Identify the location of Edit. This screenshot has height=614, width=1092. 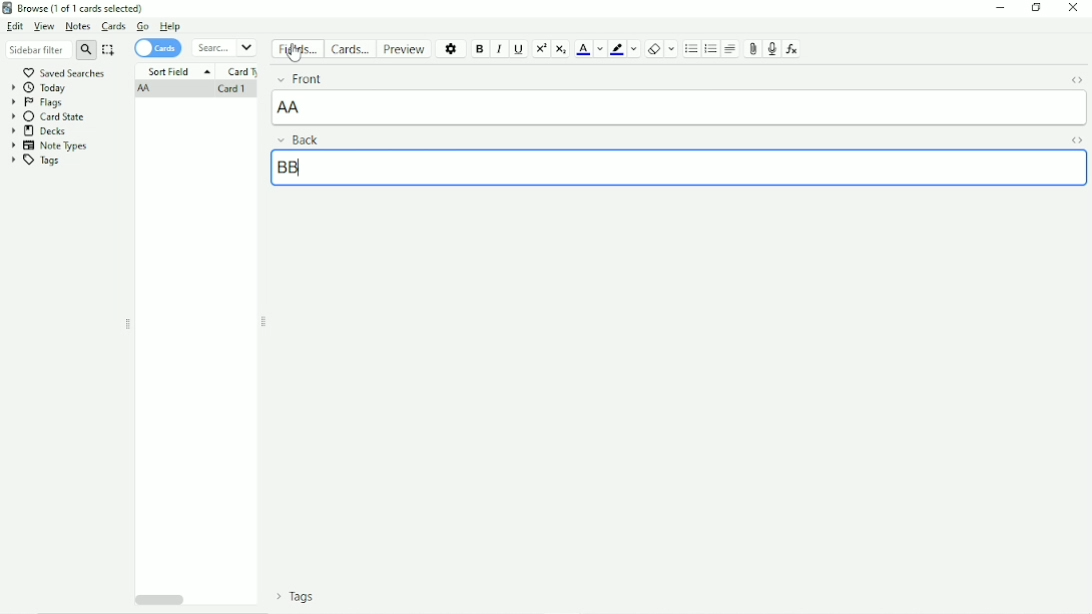
(15, 26).